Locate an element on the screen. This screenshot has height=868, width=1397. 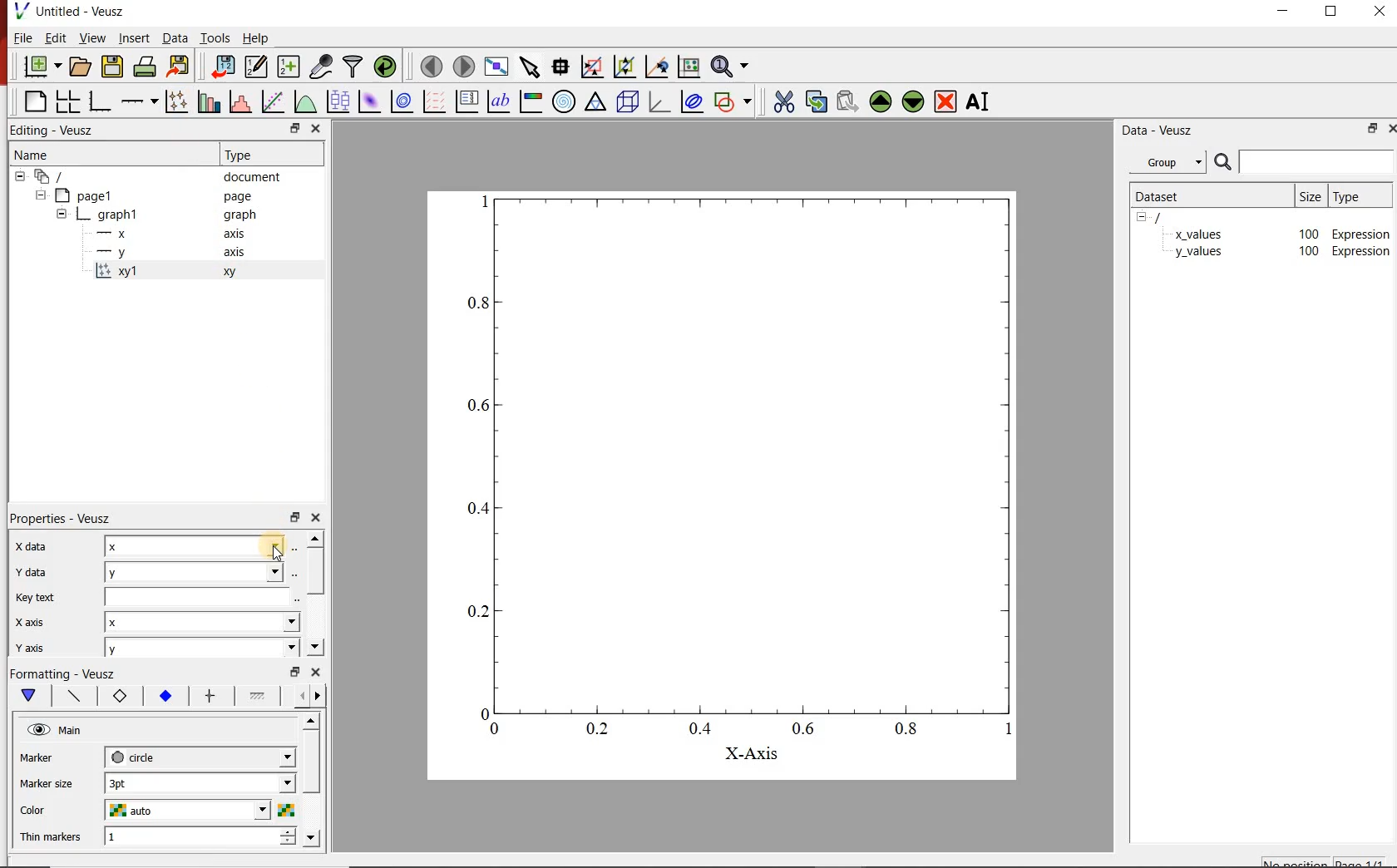
input search is located at coordinates (1316, 161).